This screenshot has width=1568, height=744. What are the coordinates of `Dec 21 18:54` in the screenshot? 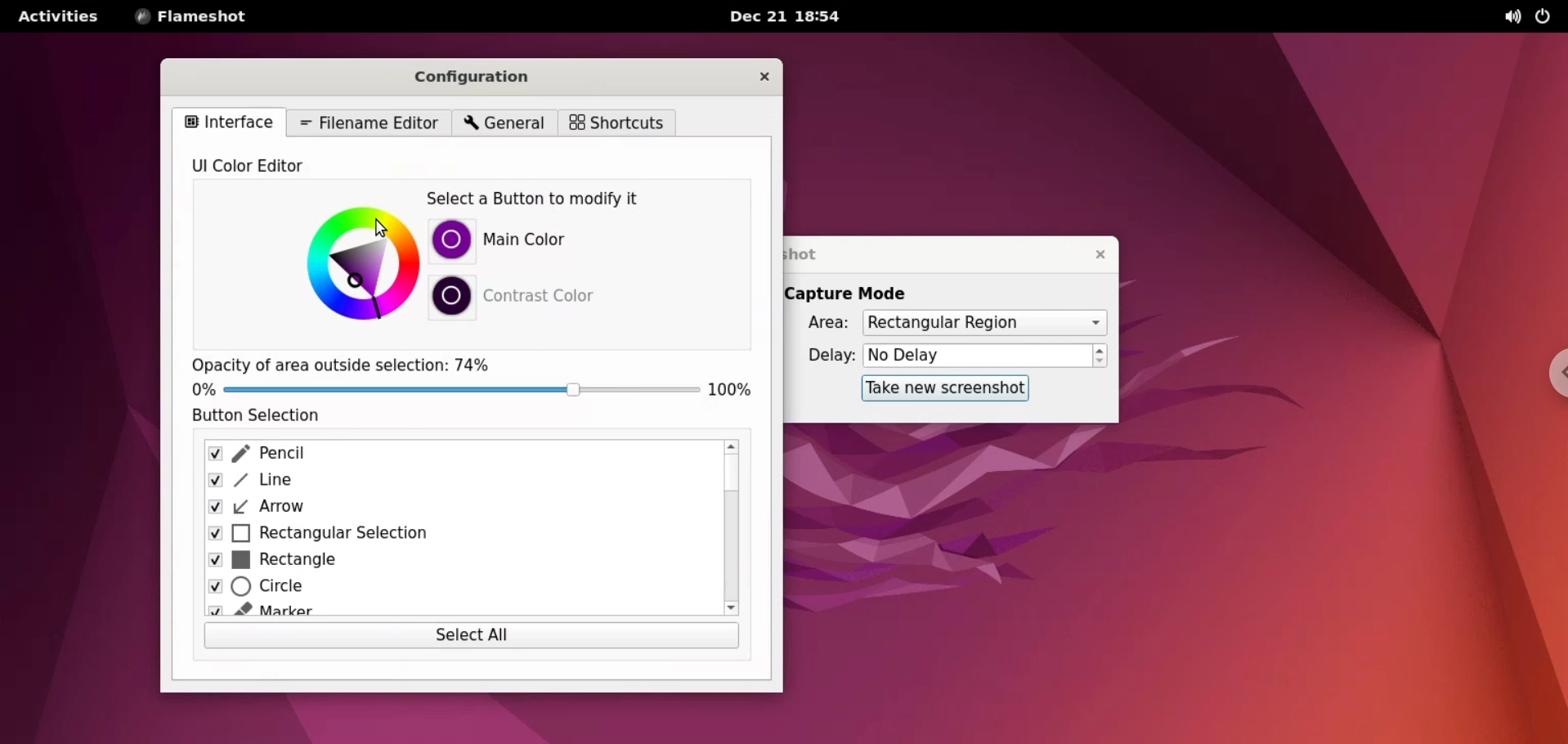 It's located at (792, 16).